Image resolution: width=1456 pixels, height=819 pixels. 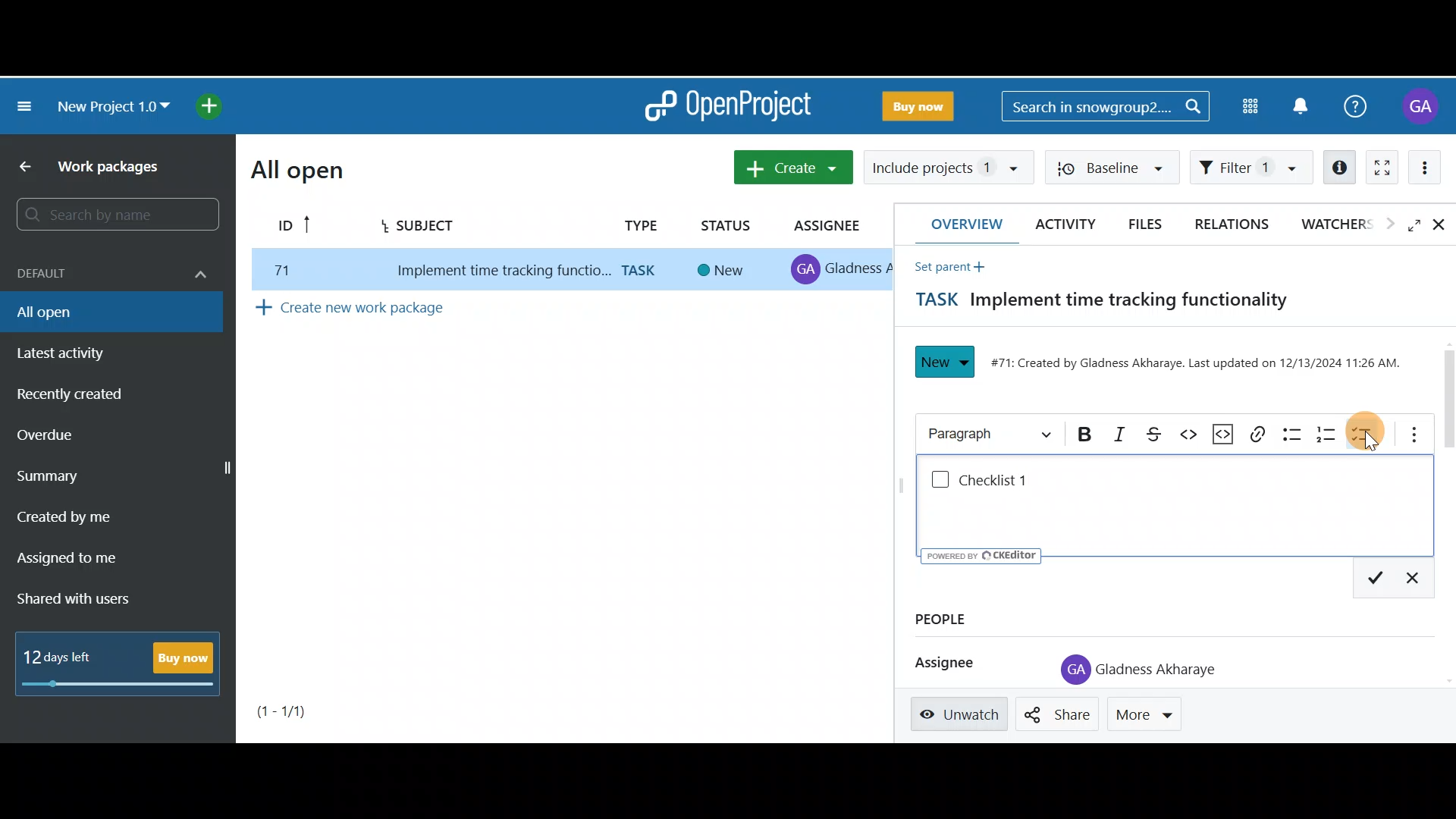 I want to click on 12 days left, so click(x=61, y=657).